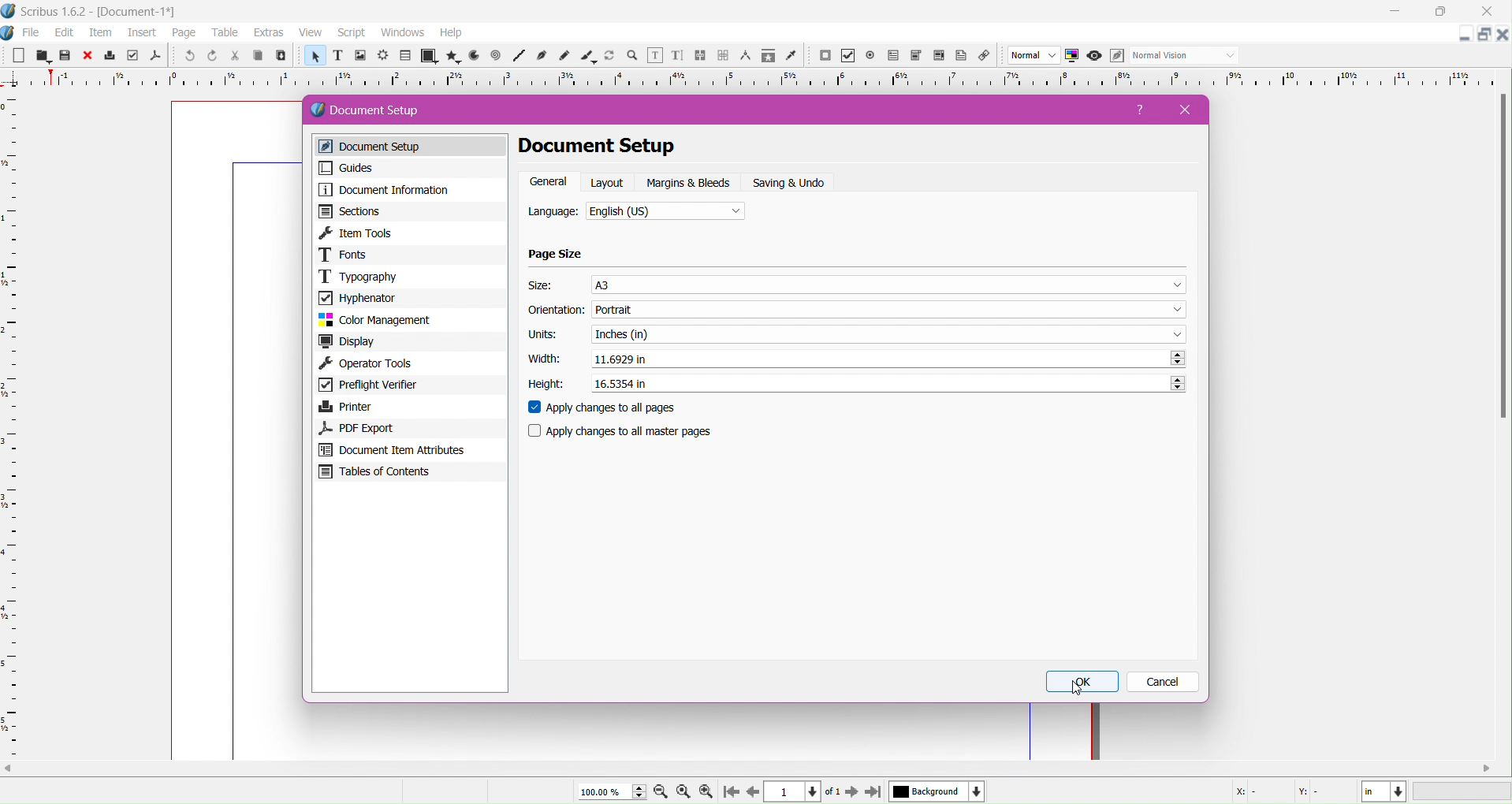 The width and height of the screenshot is (1512, 804). What do you see at coordinates (9, 33) in the screenshot?
I see `app icon` at bounding box center [9, 33].